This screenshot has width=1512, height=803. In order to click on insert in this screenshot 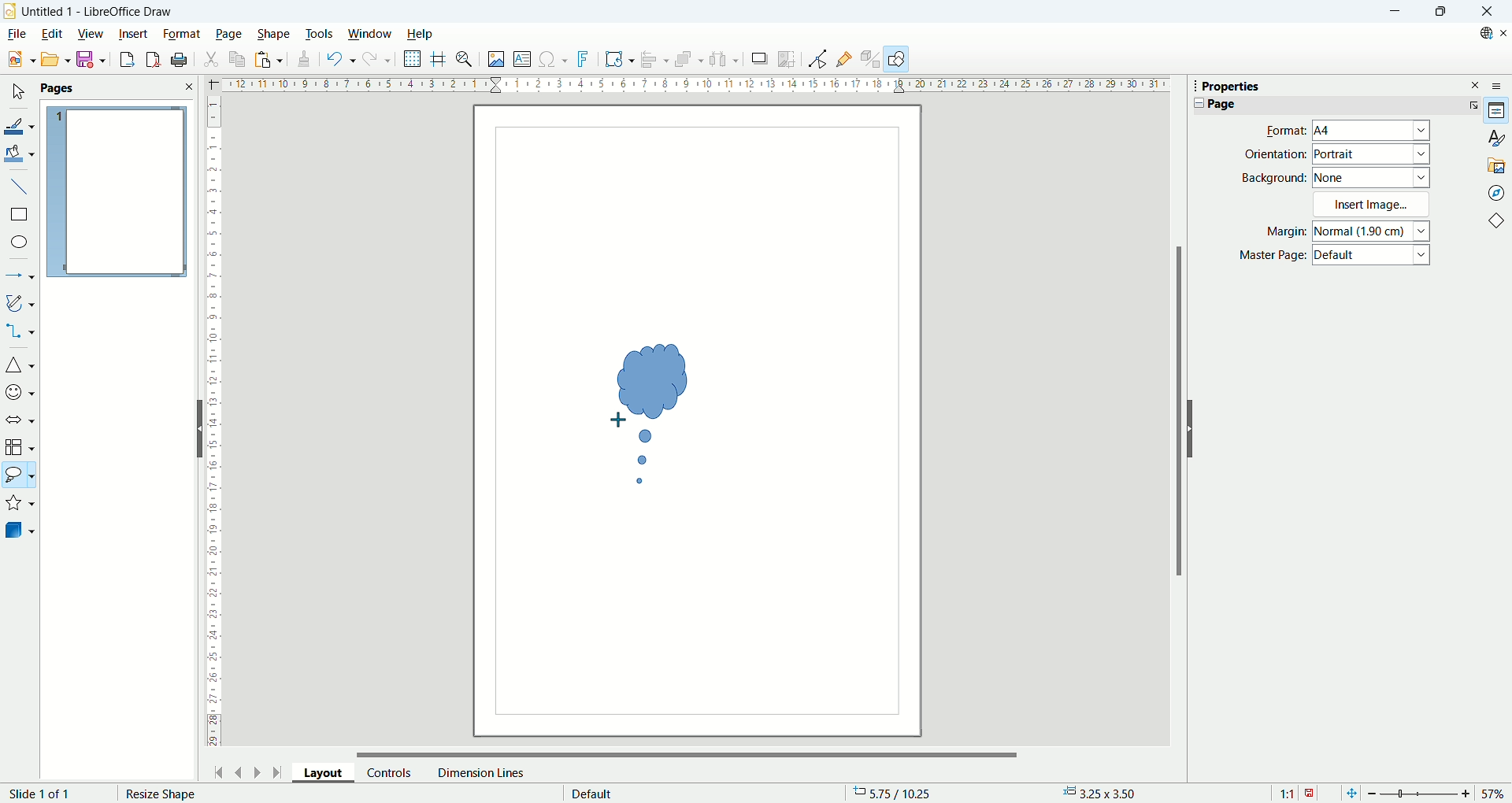, I will do `click(134, 32)`.